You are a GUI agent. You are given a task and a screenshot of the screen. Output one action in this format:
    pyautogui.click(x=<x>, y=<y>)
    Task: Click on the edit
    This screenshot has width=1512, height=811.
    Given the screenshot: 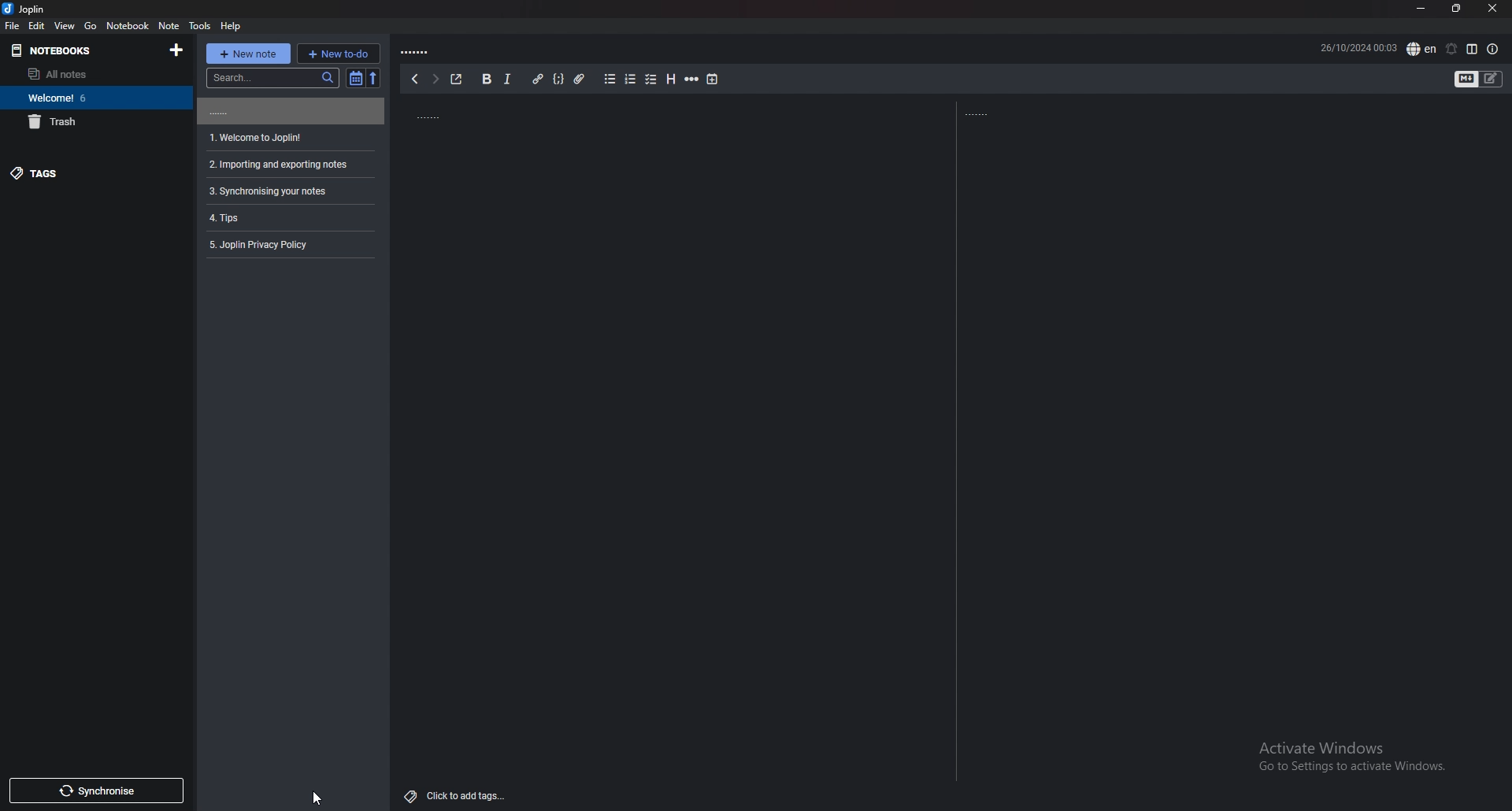 What is the action you would take?
    pyautogui.click(x=37, y=26)
    